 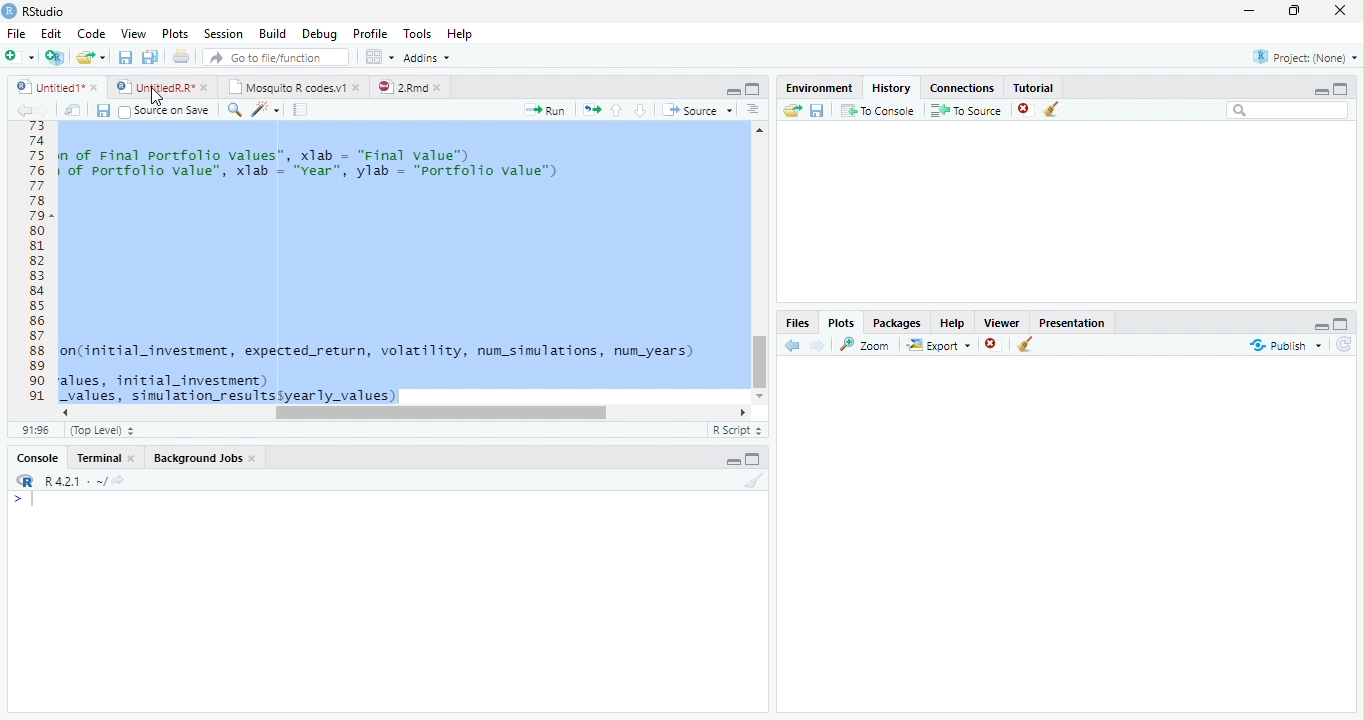 I want to click on Scroll Up, so click(x=760, y=132).